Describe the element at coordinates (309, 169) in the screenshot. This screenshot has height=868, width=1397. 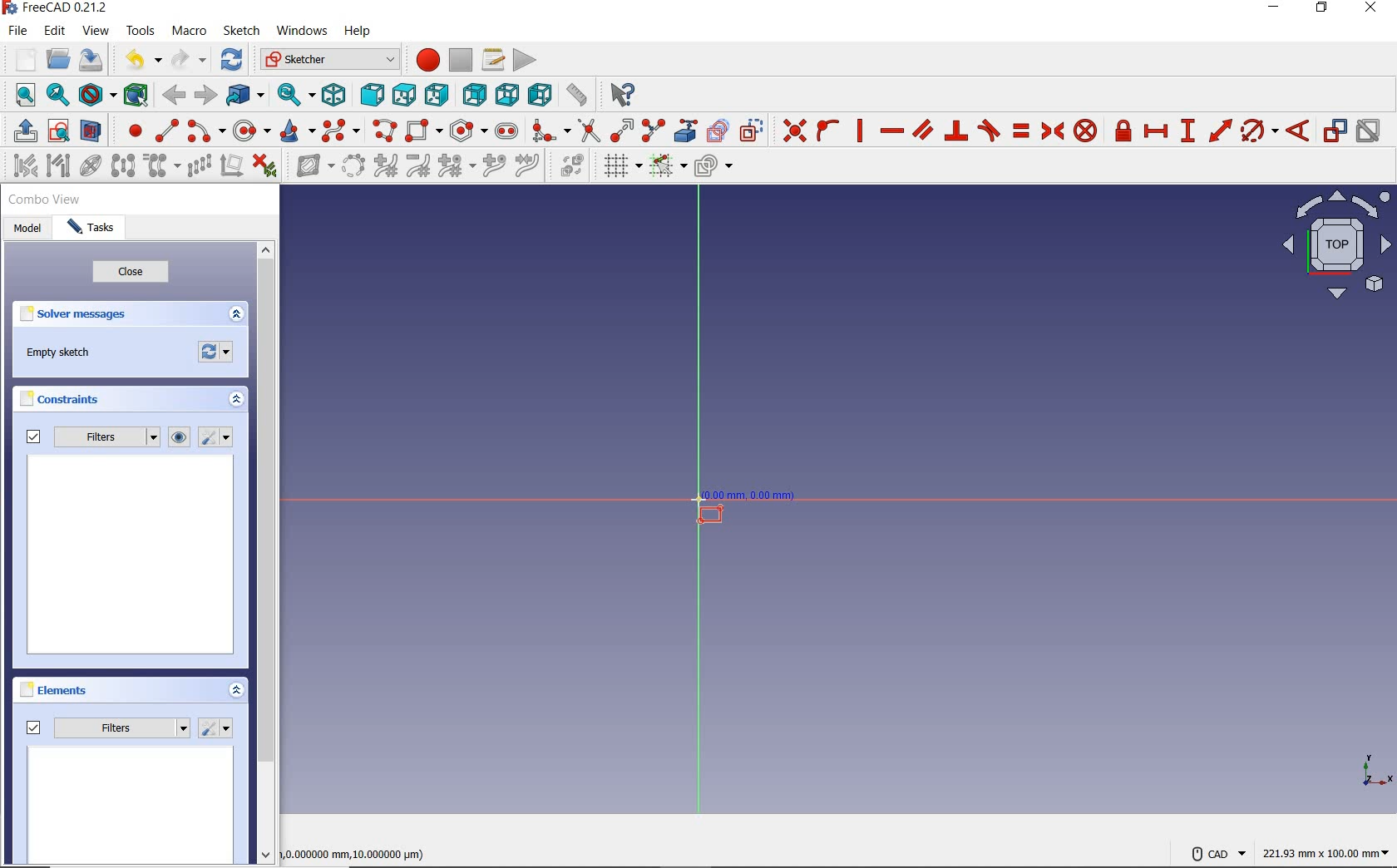
I see `show/hide b-splineinformation layer` at that location.